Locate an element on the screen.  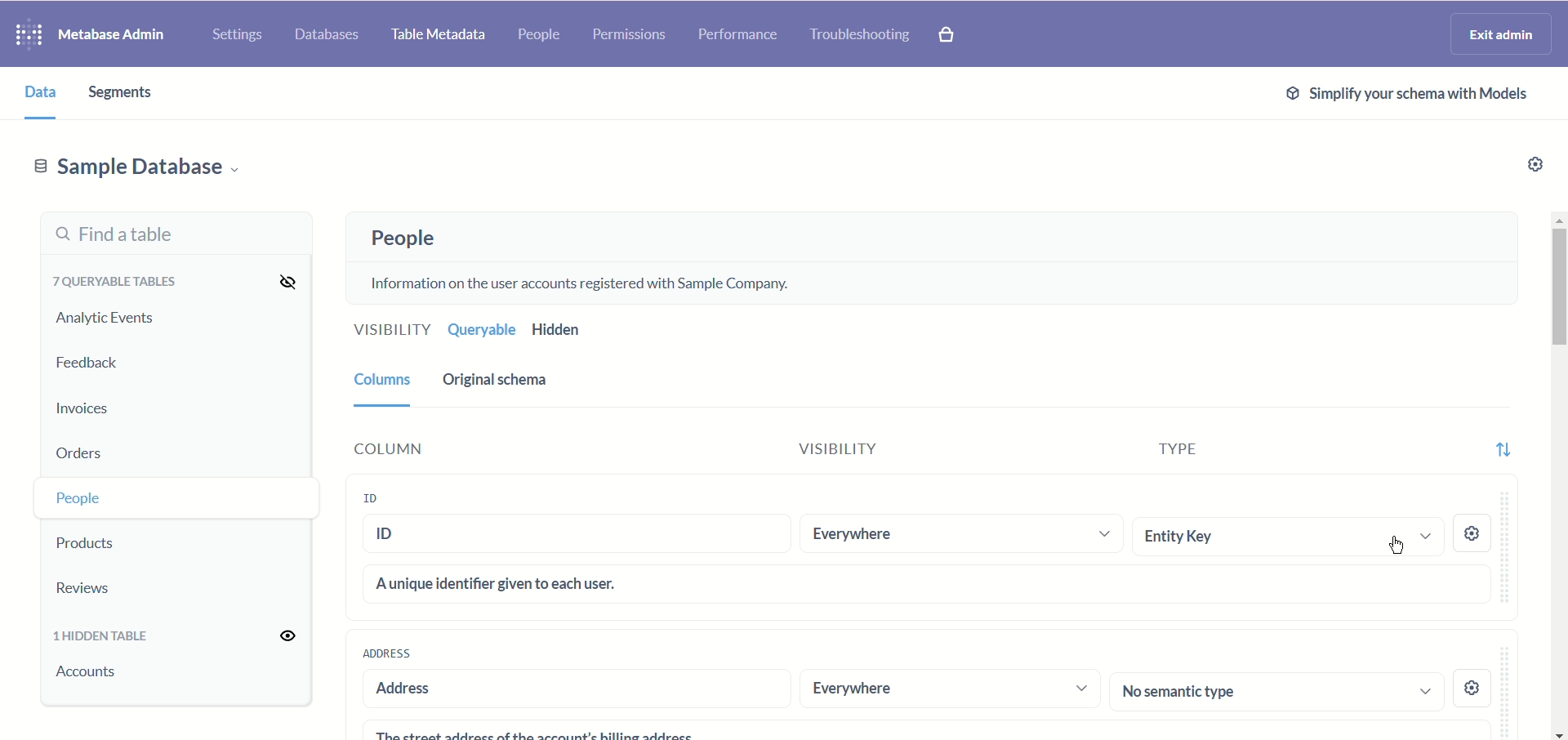
Feedback is located at coordinates (90, 363).